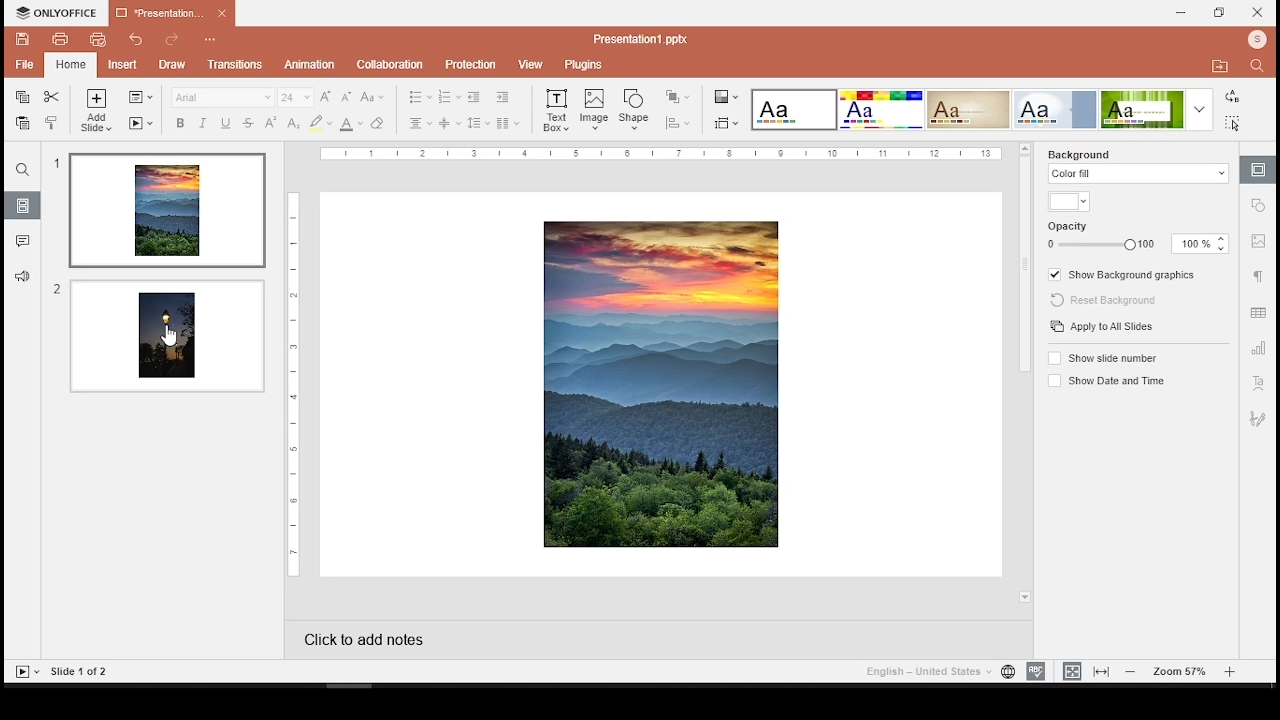  What do you see at coordinates (326, 96) in the screenshot?
I see `increase font size` at bounding box center [326, 96].